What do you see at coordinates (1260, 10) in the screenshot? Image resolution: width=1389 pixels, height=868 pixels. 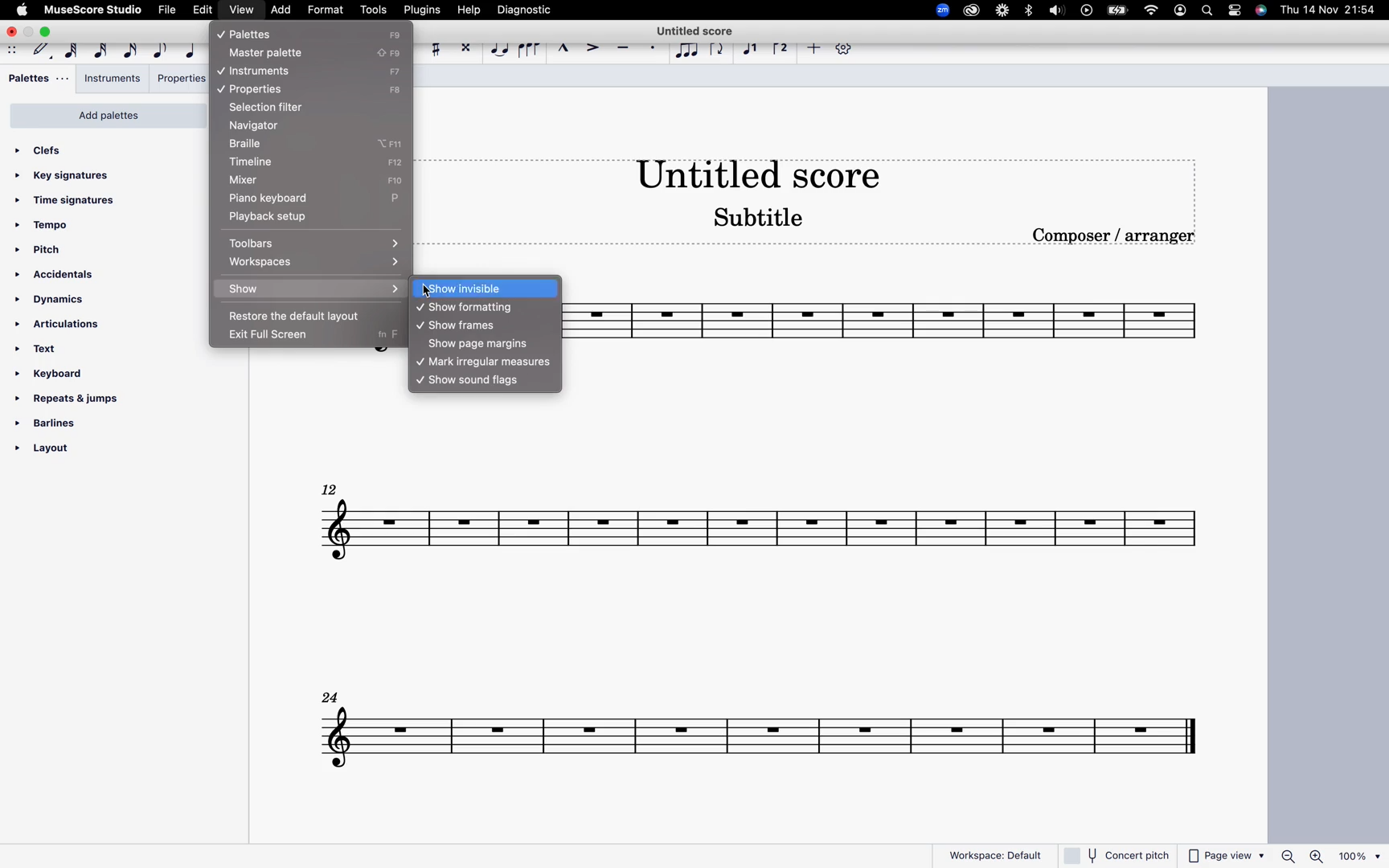 I see `siri` at bounding box center [1260, 10].